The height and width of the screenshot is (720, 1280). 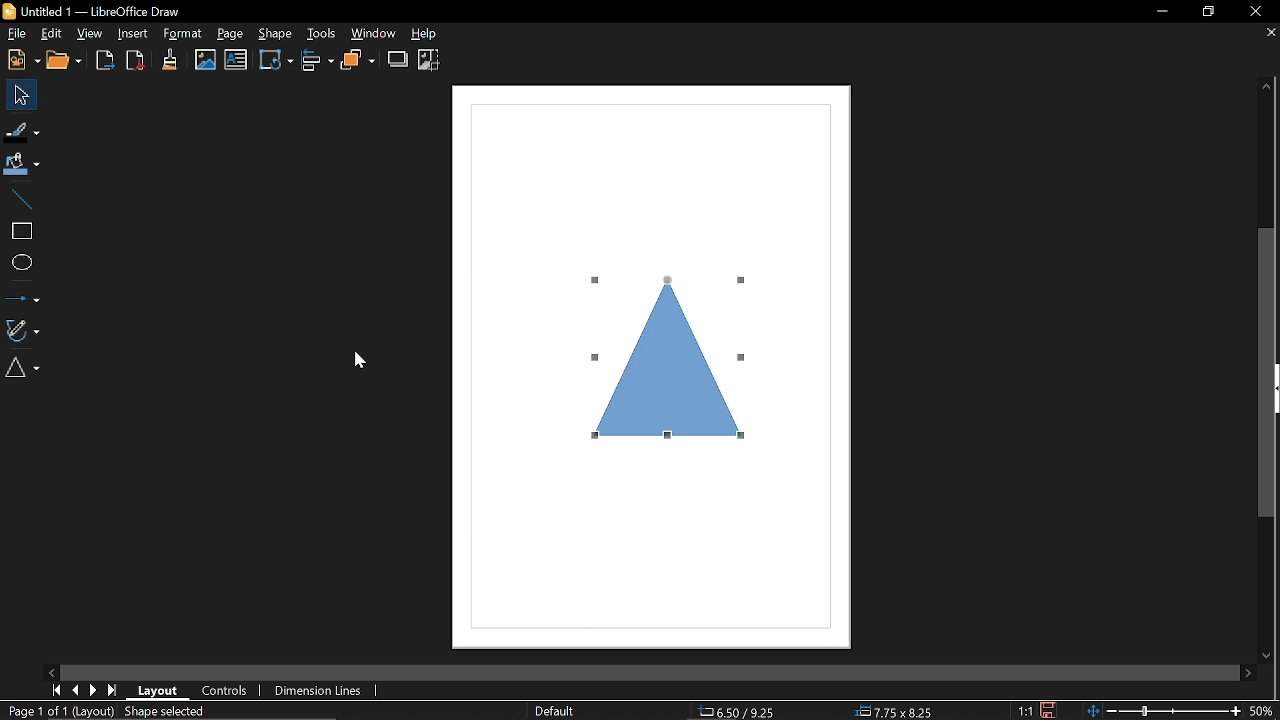 What do you see at coordinates (20, 263) in the screenshot?
I see `Ellipse` at bounding box center [20, 263].